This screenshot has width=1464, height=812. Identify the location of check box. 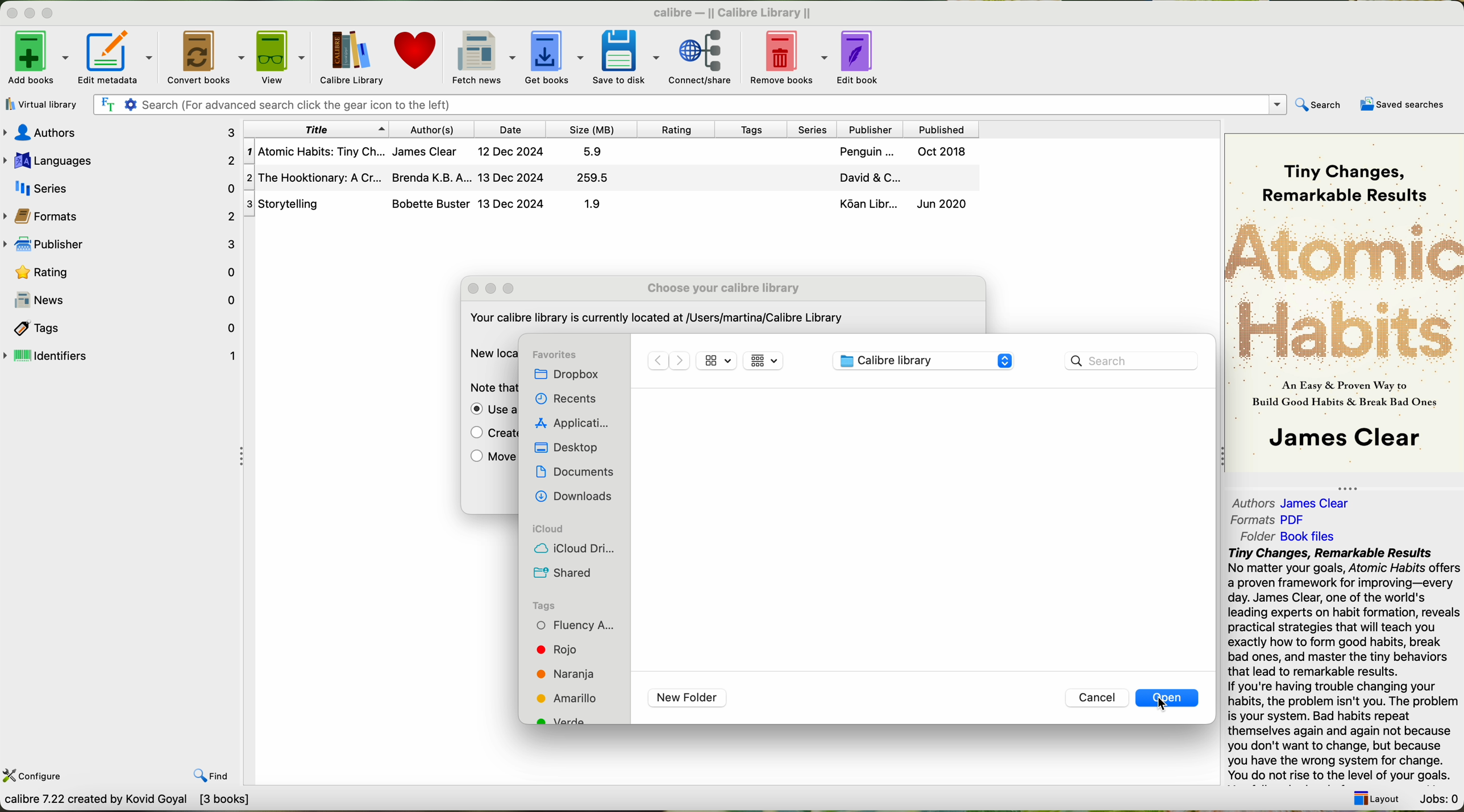
(476, 457).